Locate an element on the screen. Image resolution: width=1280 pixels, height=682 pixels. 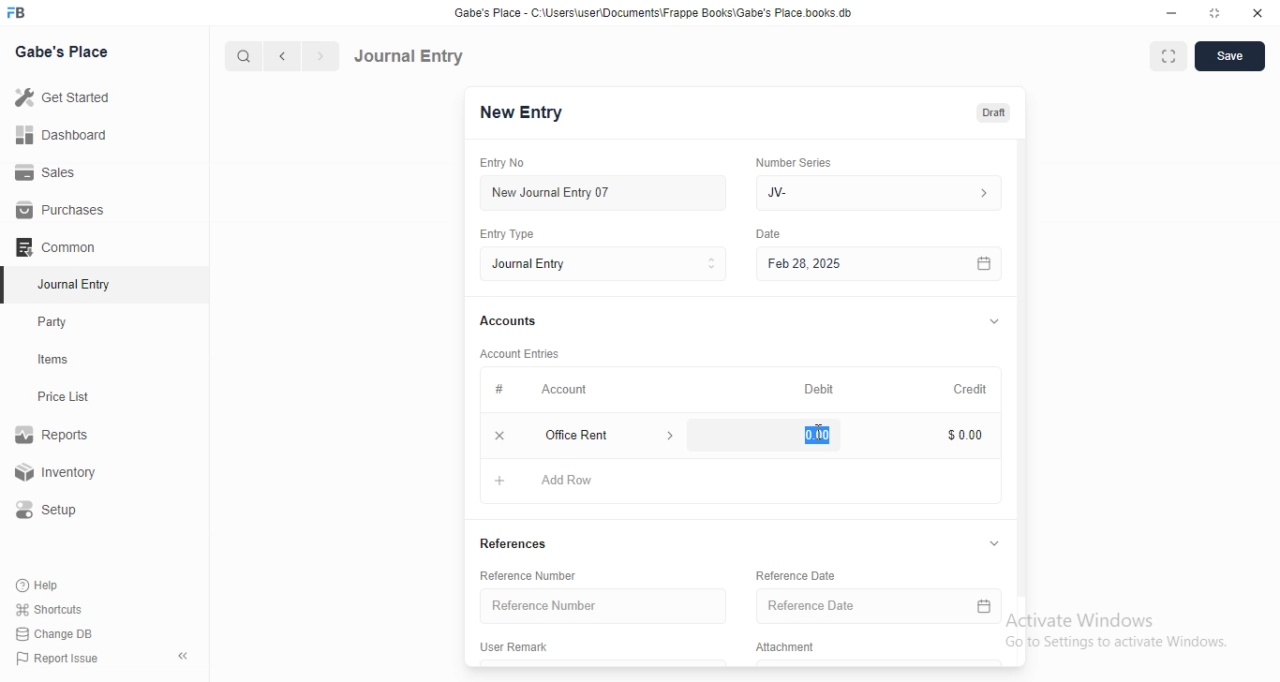
FB logo is located at coordinates (18, 13).